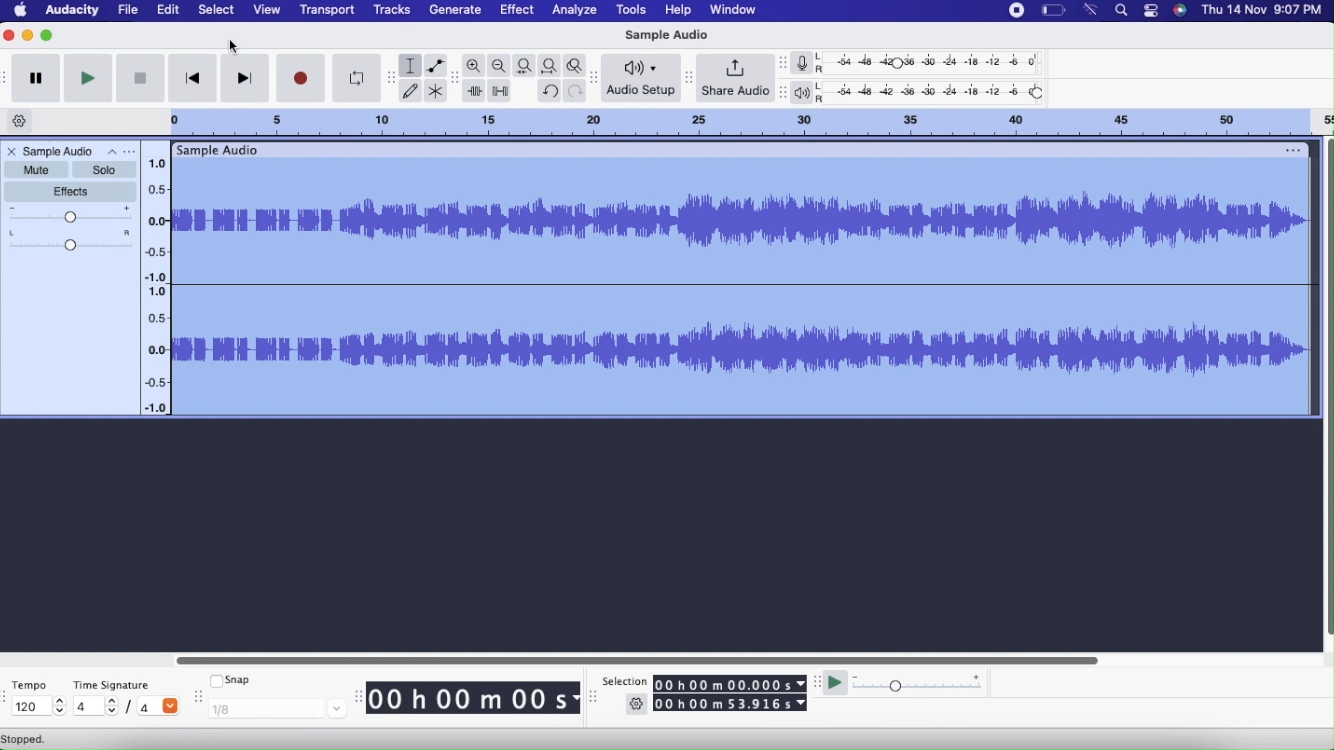  I want to click on Playback Speed, so click(924, 684).